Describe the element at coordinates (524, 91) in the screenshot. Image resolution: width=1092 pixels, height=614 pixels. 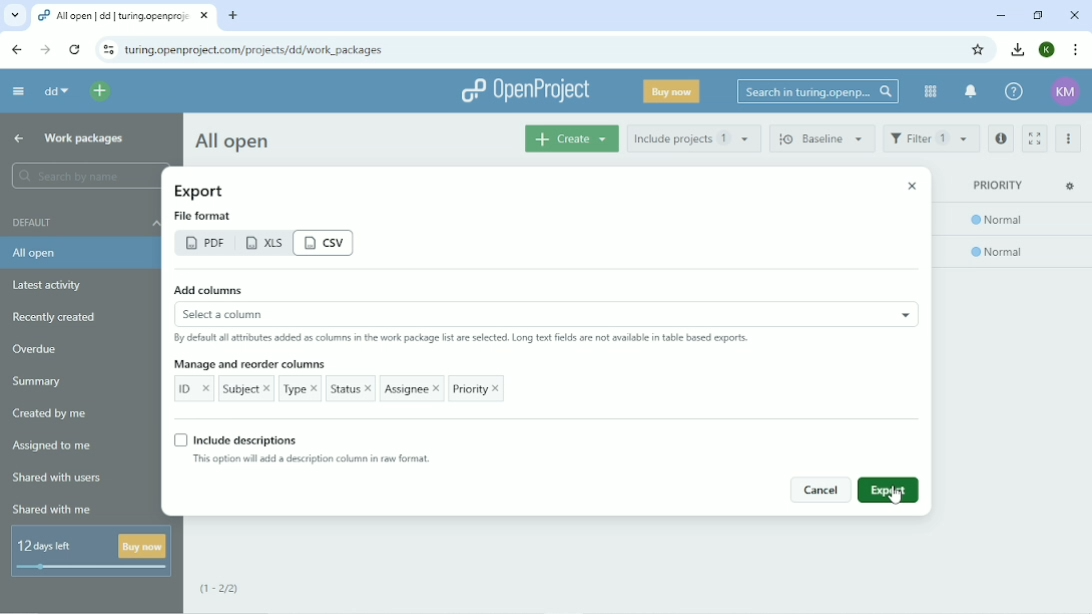
I see `OpenProject` at that location.